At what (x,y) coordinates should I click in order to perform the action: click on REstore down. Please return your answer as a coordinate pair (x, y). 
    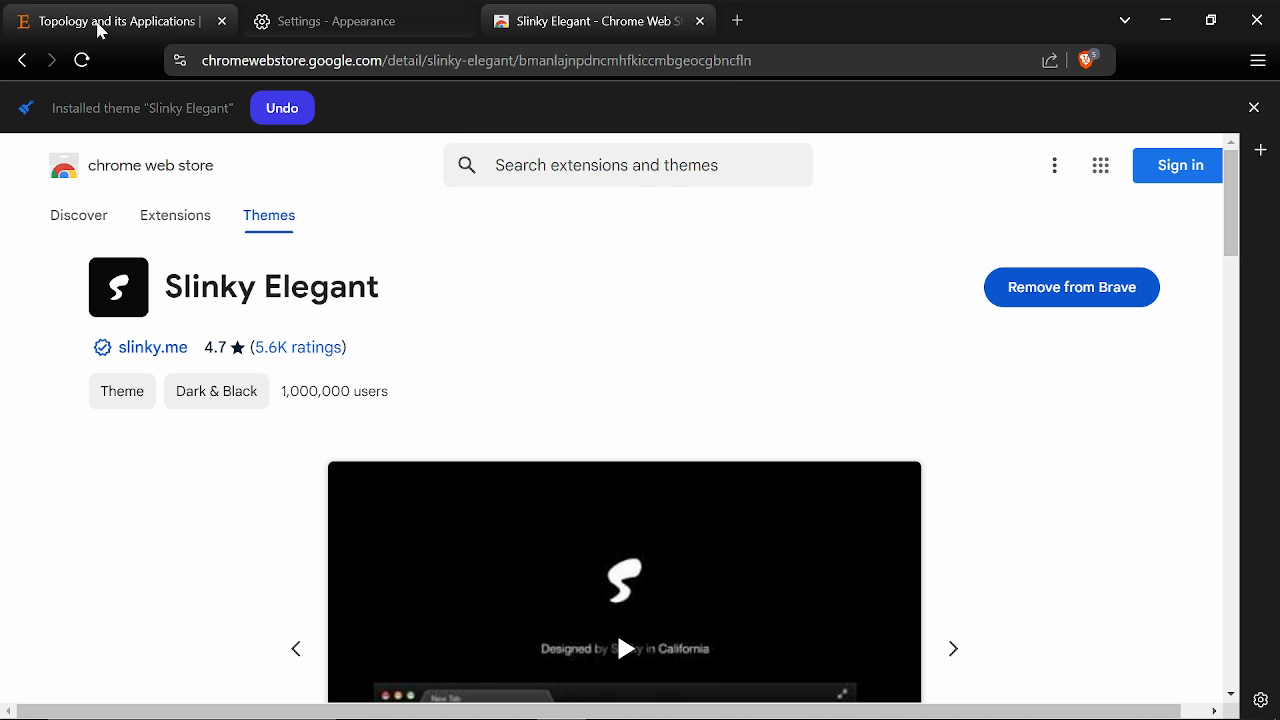
    Looking at the image, I should click on (1213, 21).